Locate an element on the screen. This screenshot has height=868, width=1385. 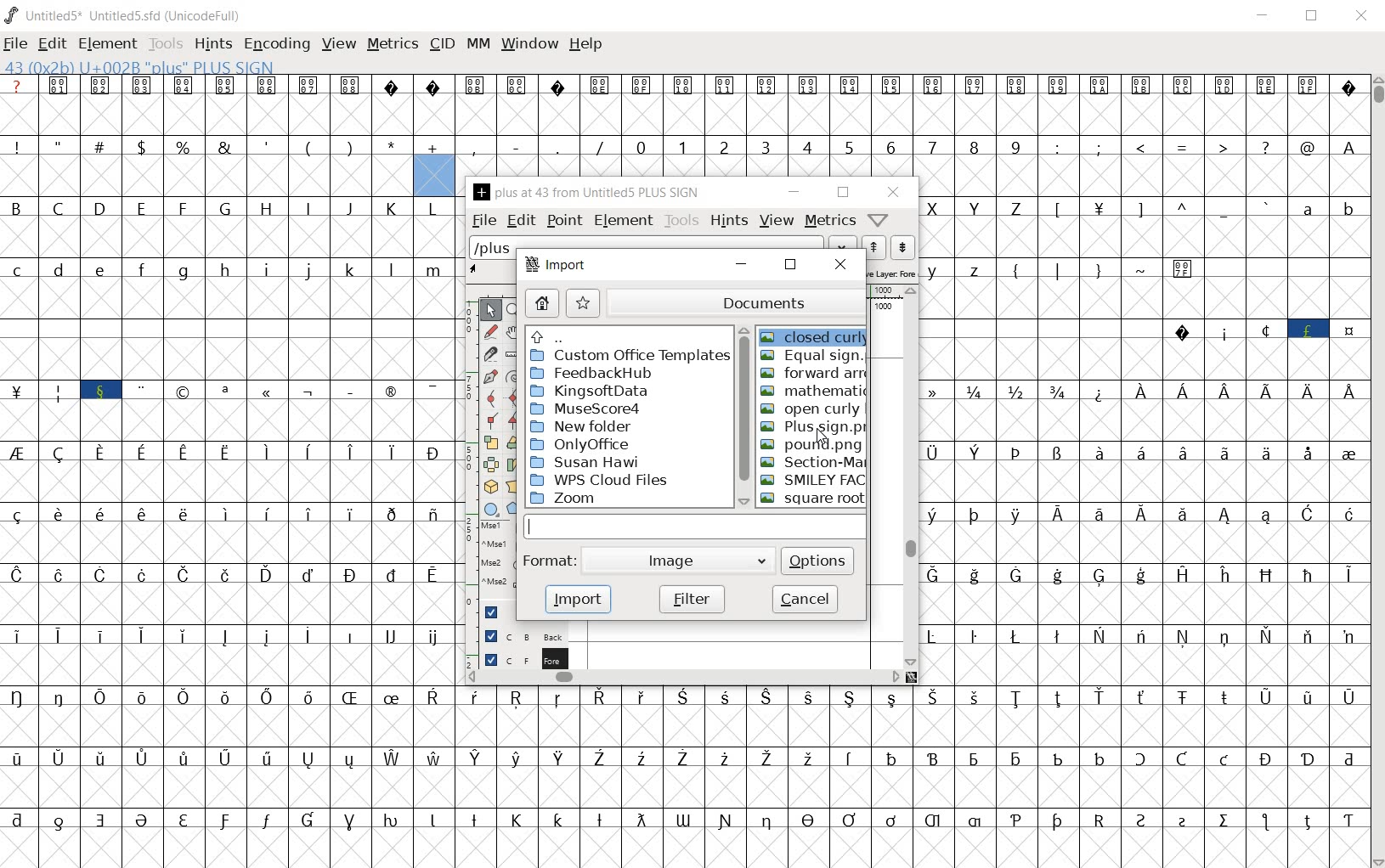
Add a corner point is located at coordinates (491, 420).